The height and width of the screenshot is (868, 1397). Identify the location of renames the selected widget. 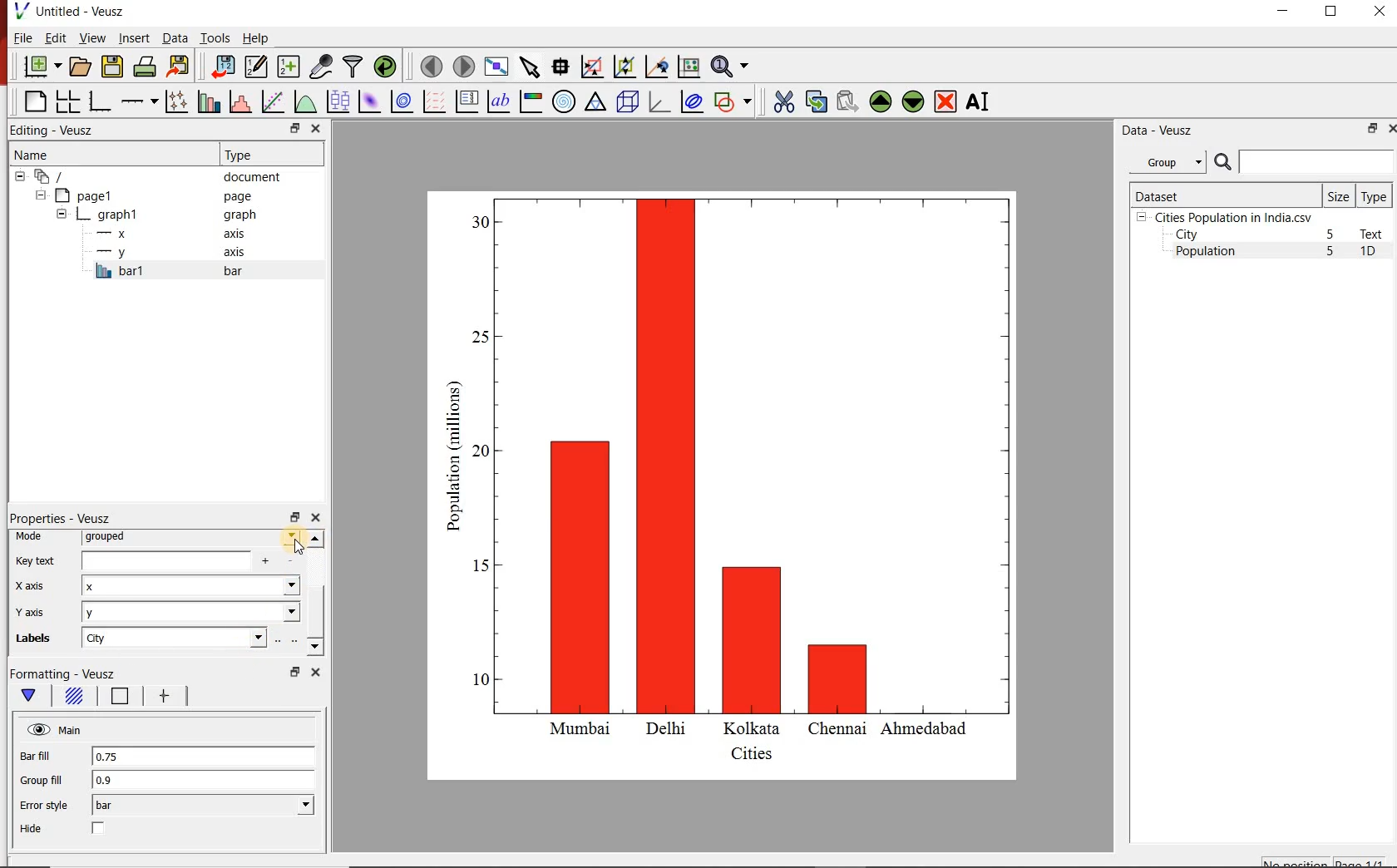
(979, 101).